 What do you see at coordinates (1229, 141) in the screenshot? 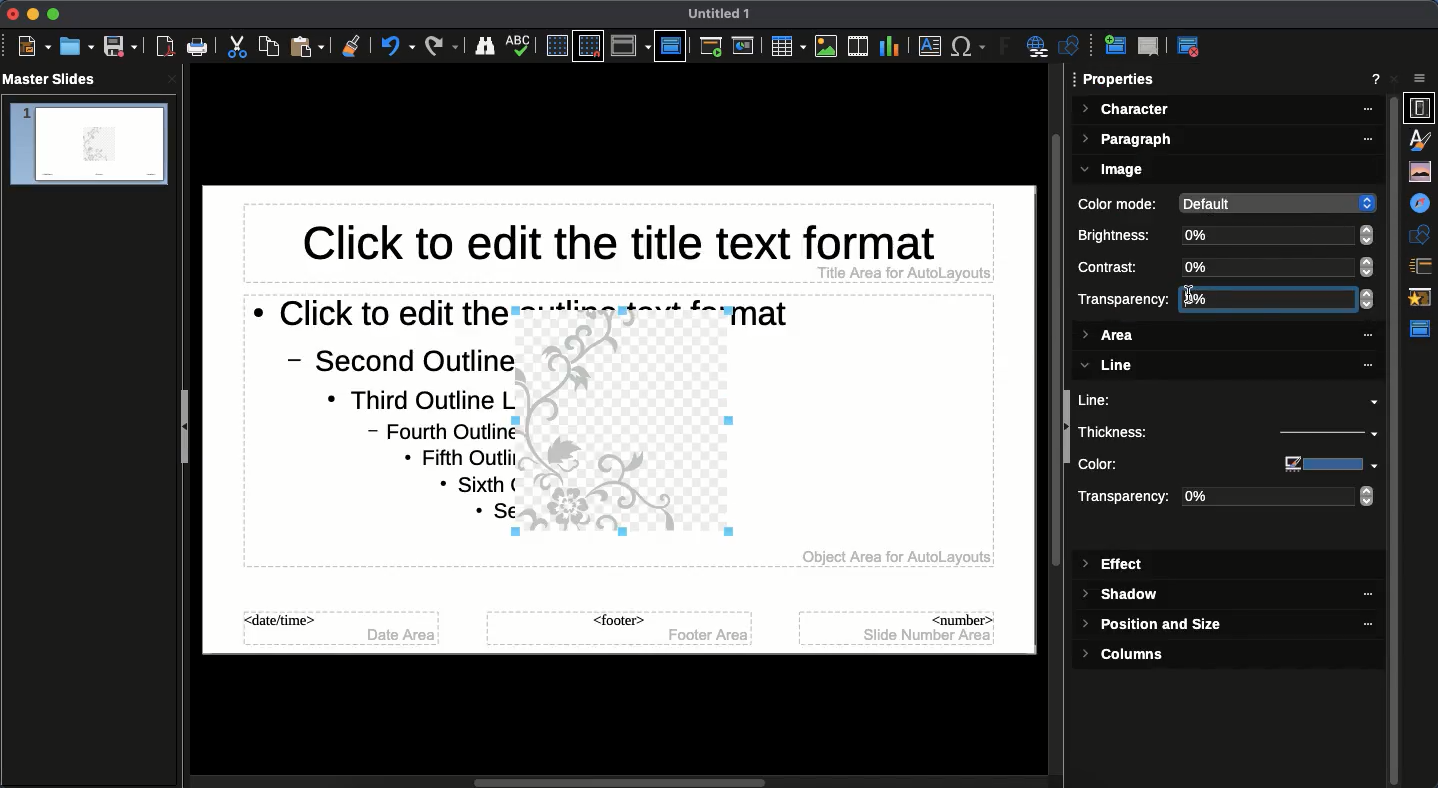
I see `Paragraph` at bounding box center [1229, 141].